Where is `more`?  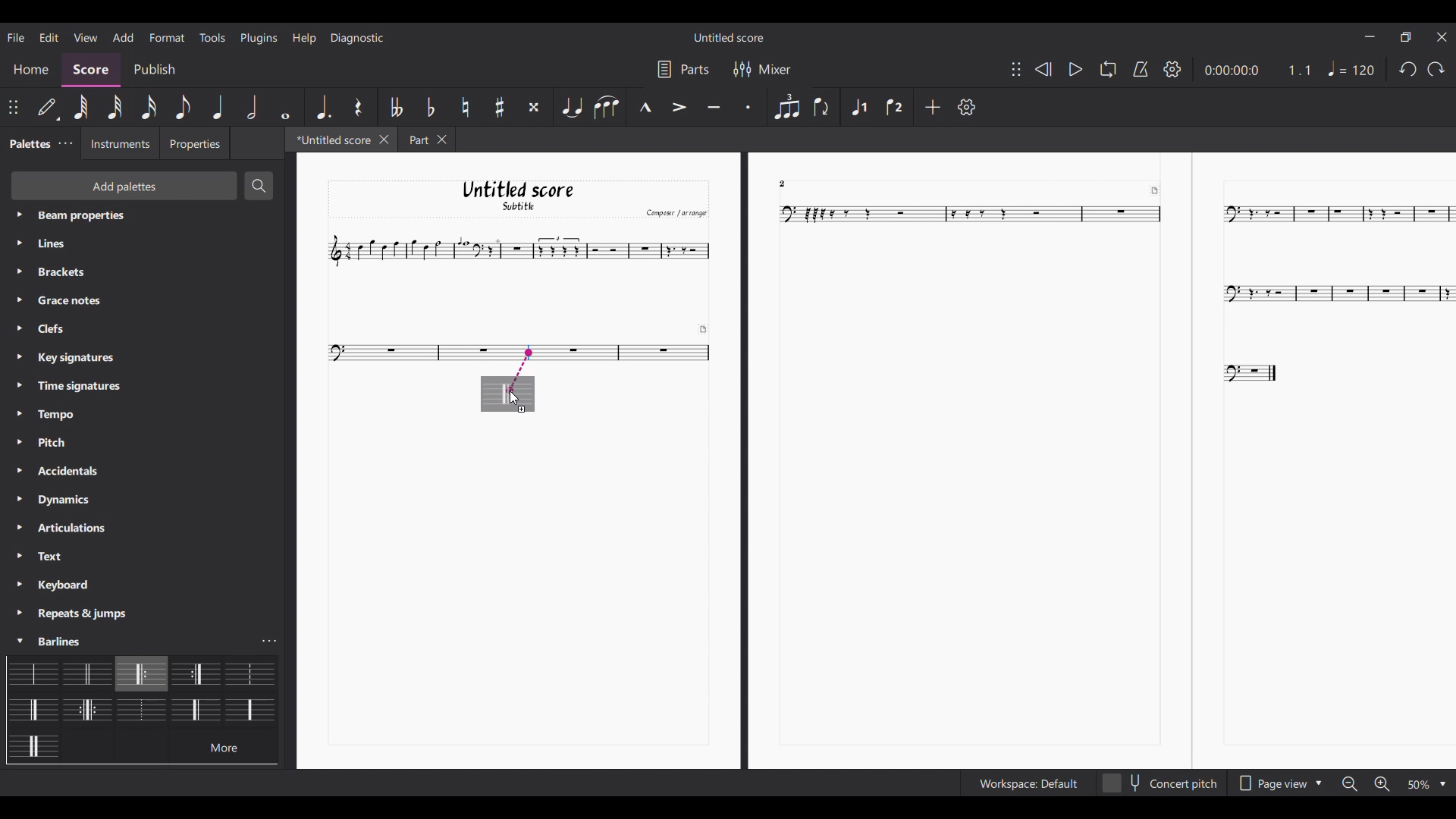 more is located at coordinates (224, 747).